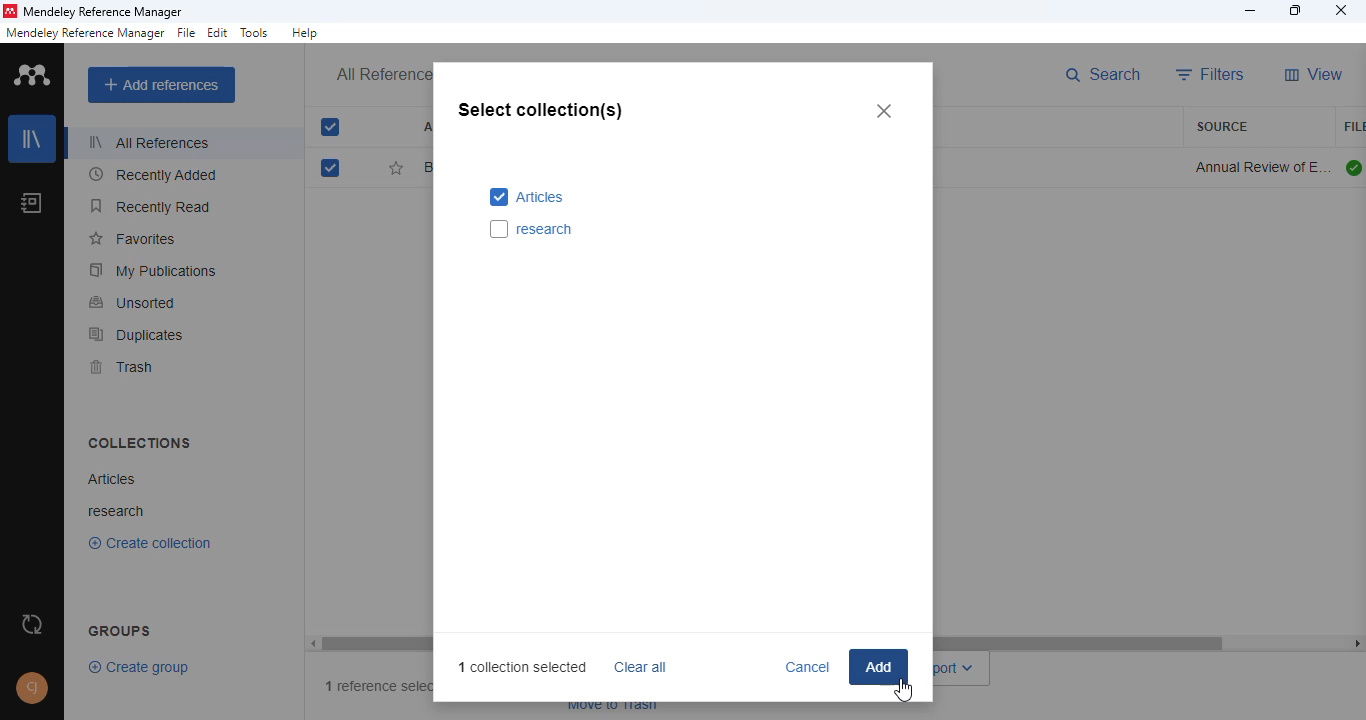 Image resolution: width=1366 pixels, height=720 pixels. Describe the element at coordinates (153, 174) in the screenshot. I see `recently added` at that location.